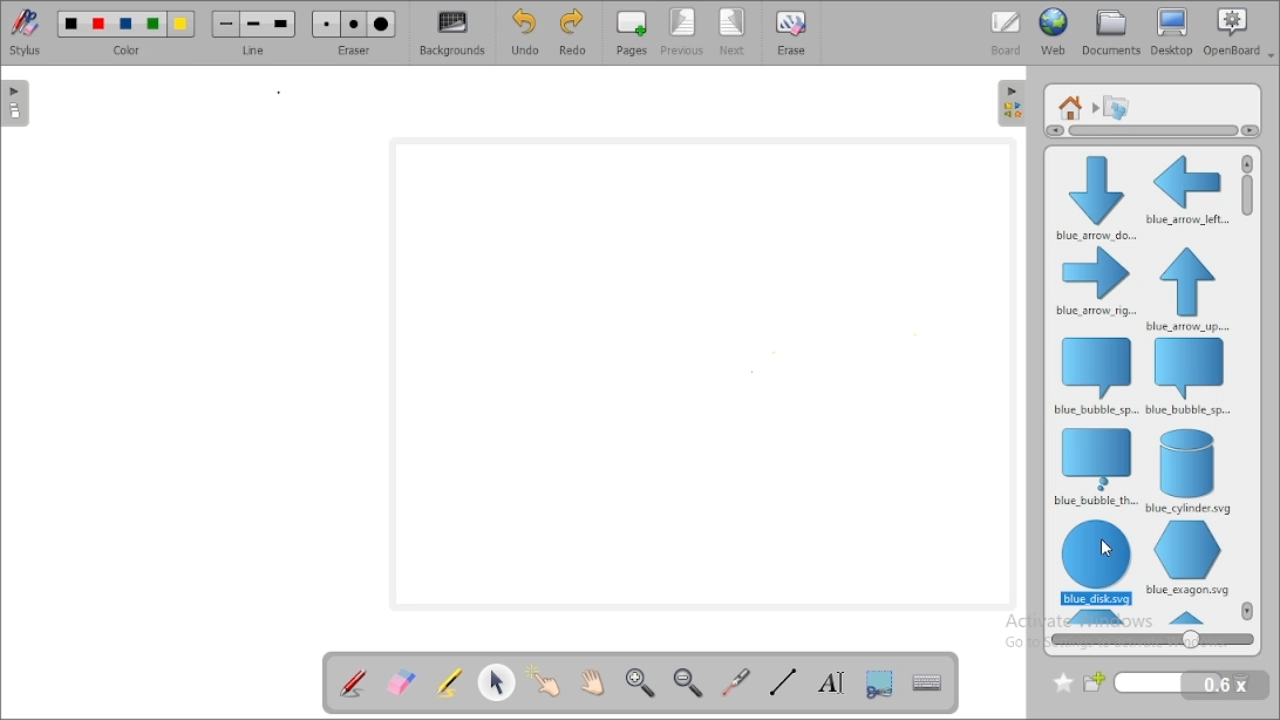 The width and height of the screenshot is (1280, 720). Describe the element at coordinates (1116, 106) in the screenshot. I see `shapes` at that location.